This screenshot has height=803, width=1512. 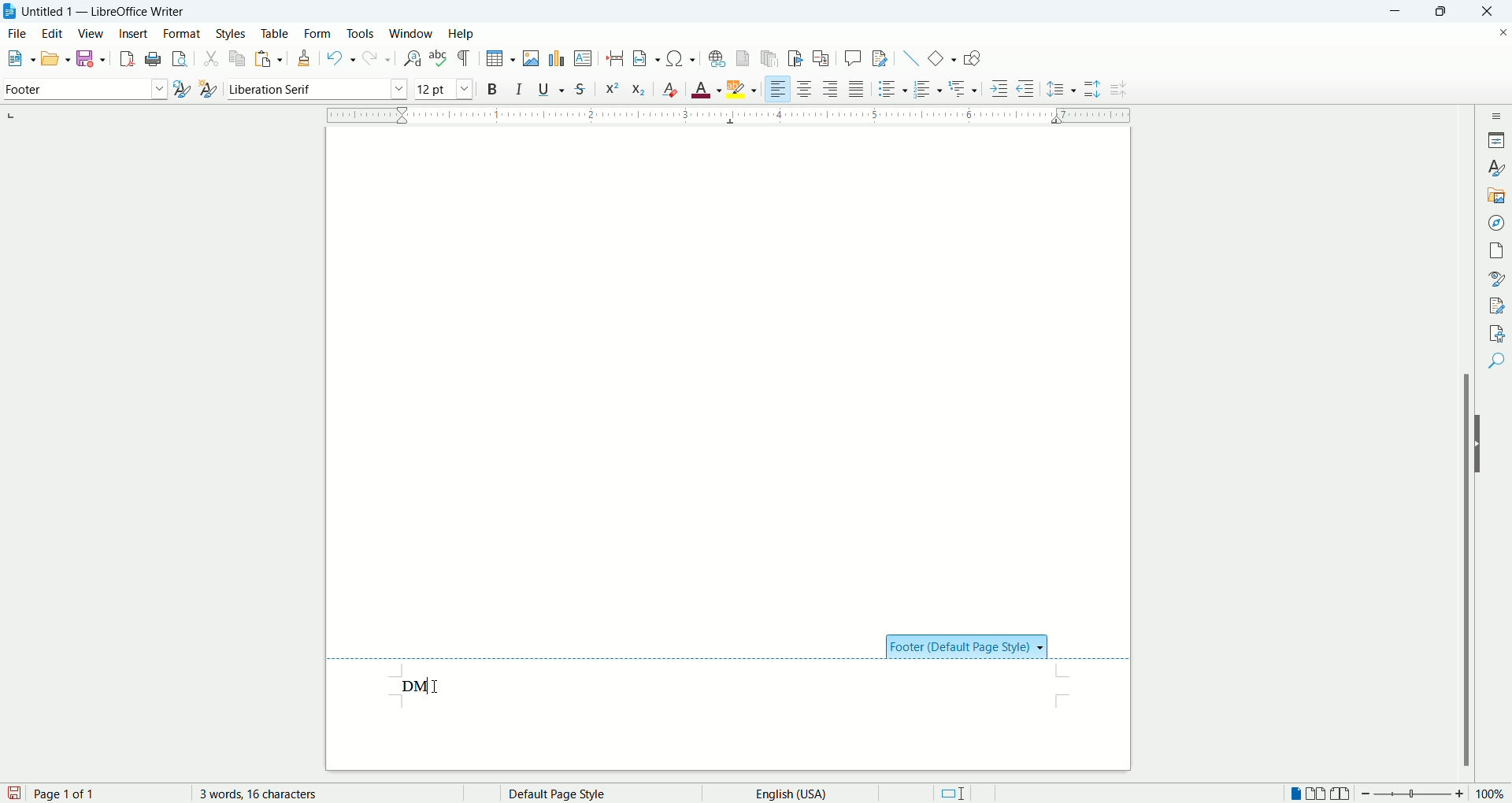 What do you see at coordinates (1497, 332) in the screenshot?
I see `accessibility check` at bounding box center [1497, 332].